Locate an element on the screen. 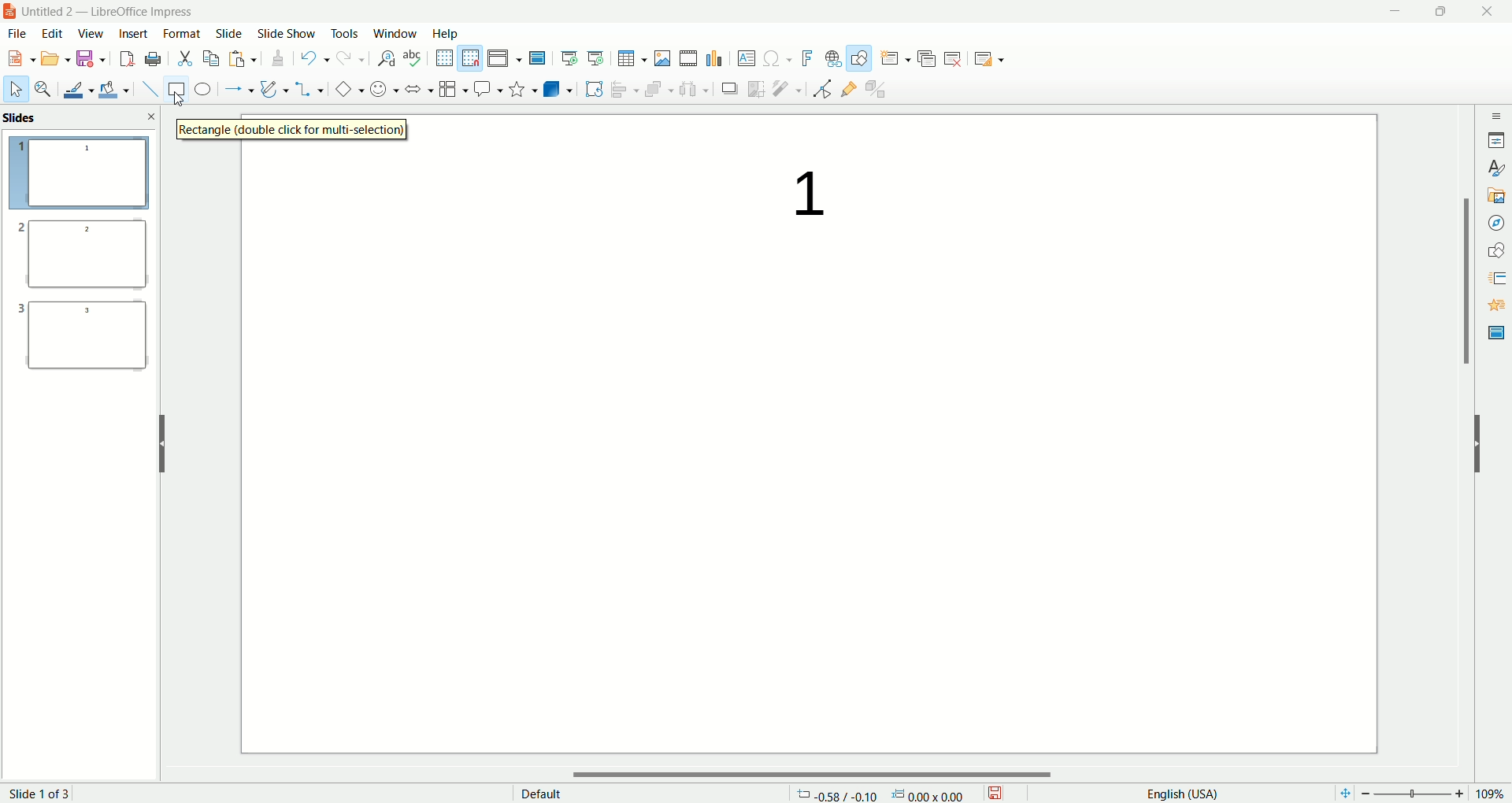 The width and height of the screenshot is (1512, 803). toggle extrusion is located at coordinates (879, 90).